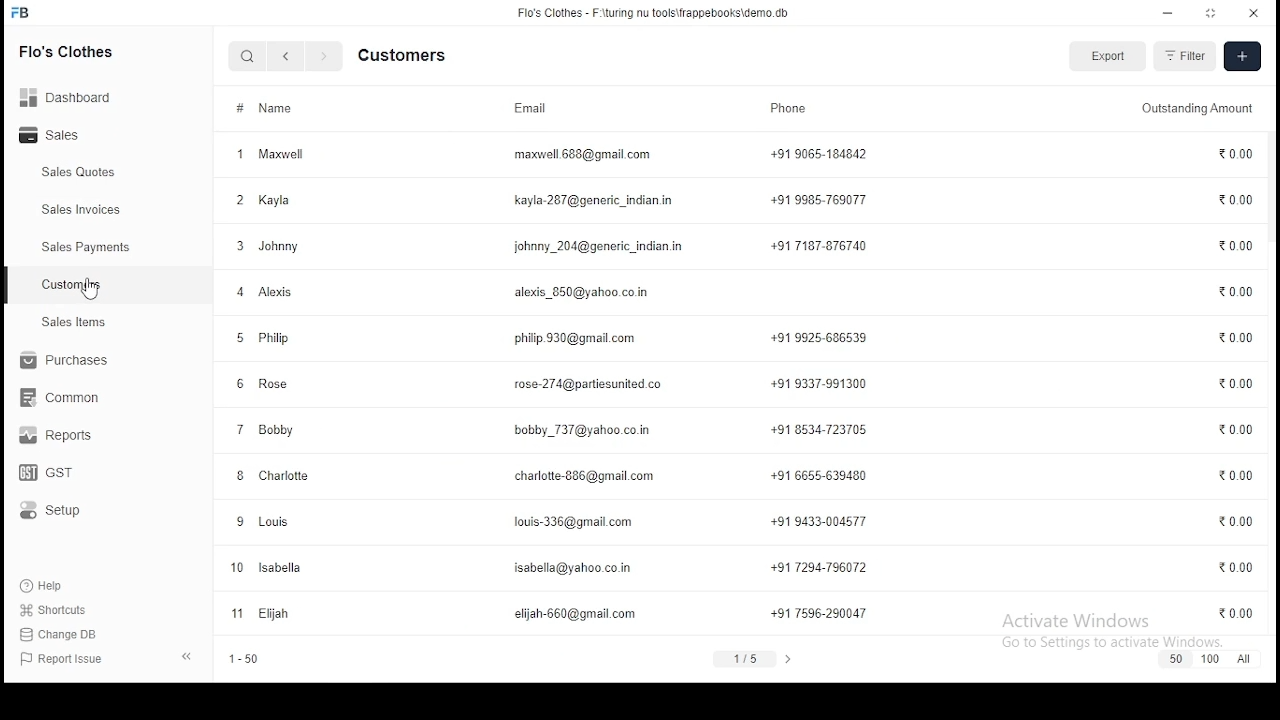 This screenshot has width=1280, height=720. I want to click on close window, so click(1257, 12).